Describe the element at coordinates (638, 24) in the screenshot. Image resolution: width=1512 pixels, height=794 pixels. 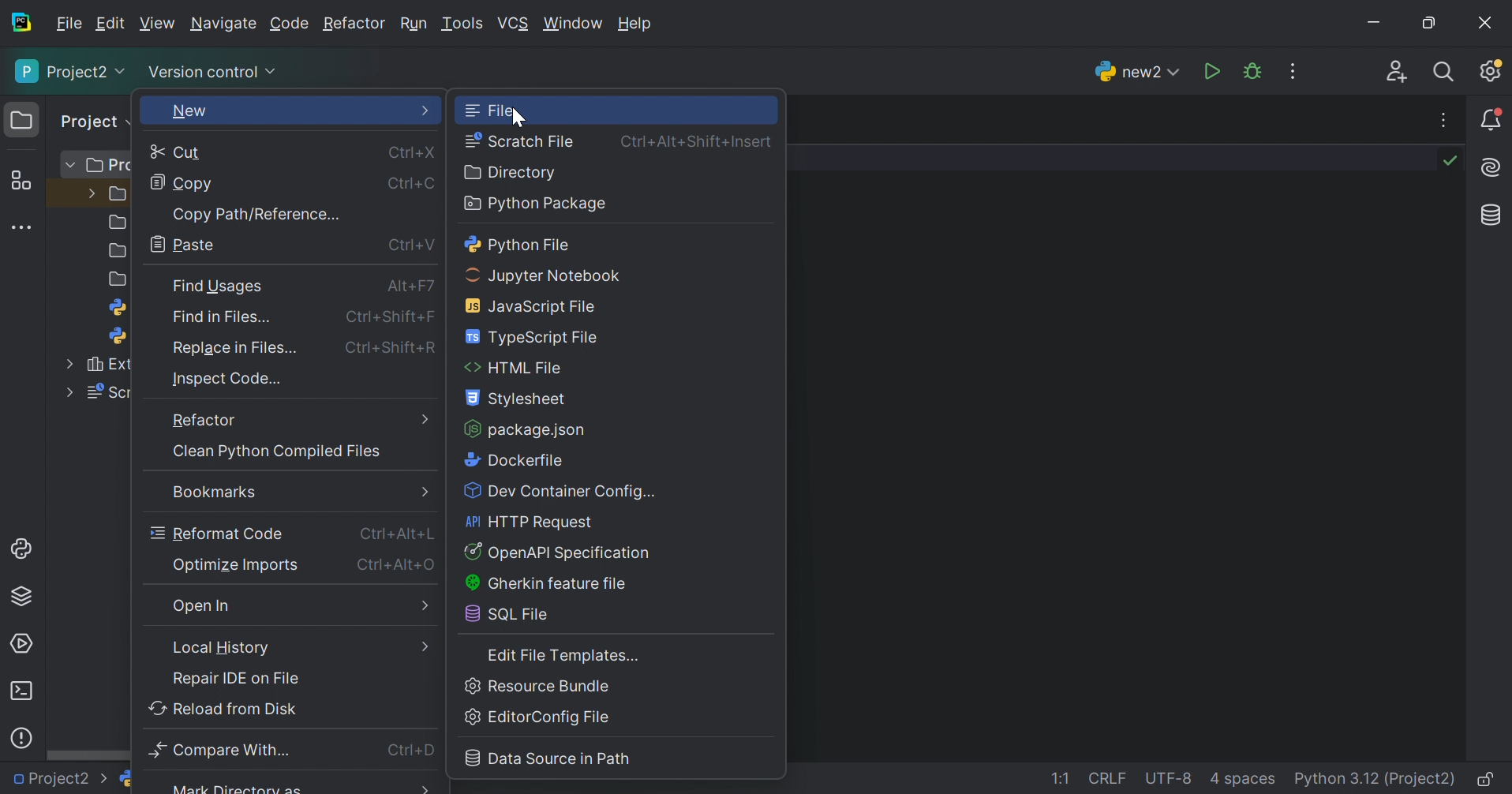
I see `Help` at that location.